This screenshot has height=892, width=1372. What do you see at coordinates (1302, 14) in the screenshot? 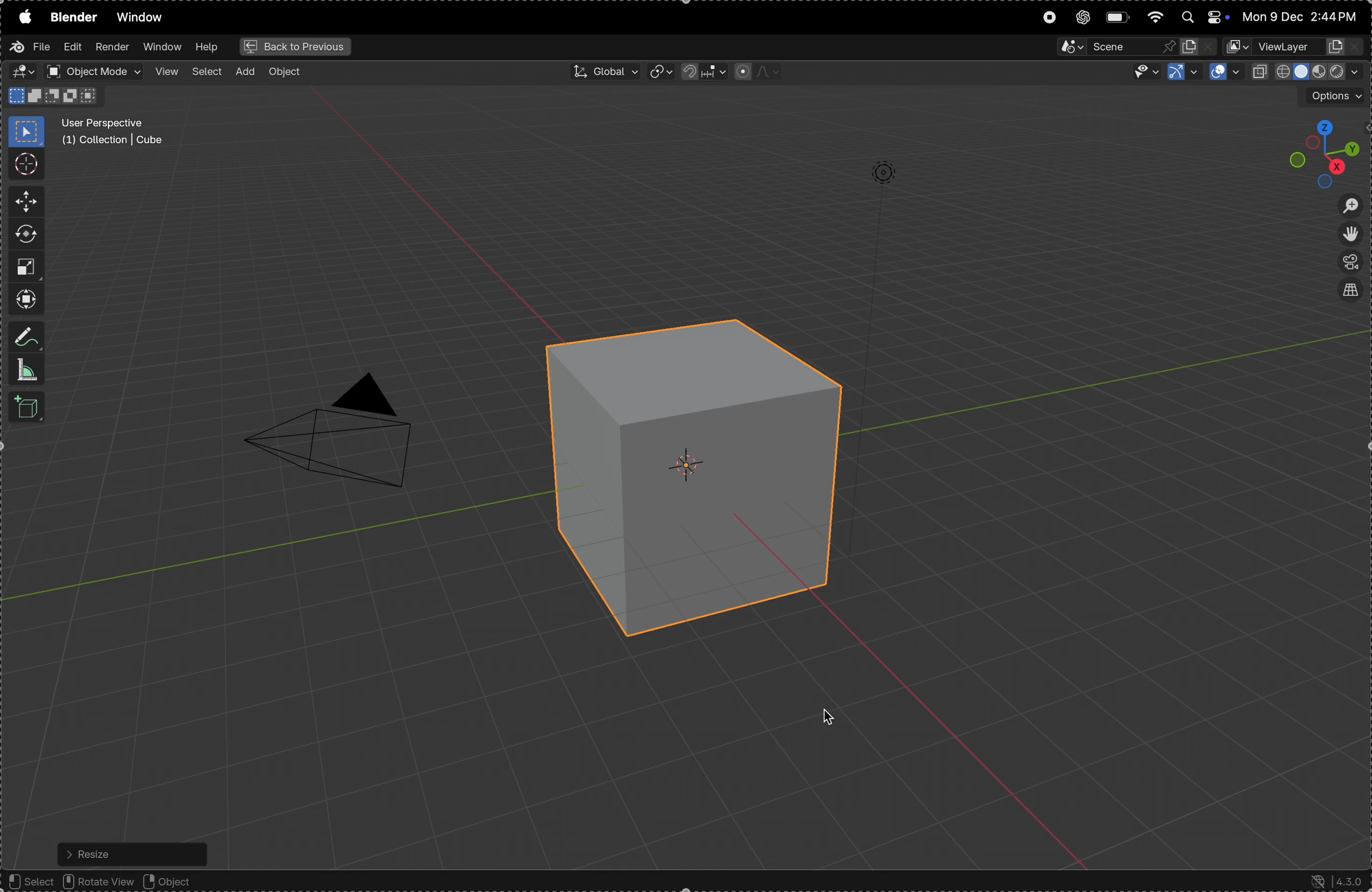
I see `date and time` at bounding box center [1302, 14].